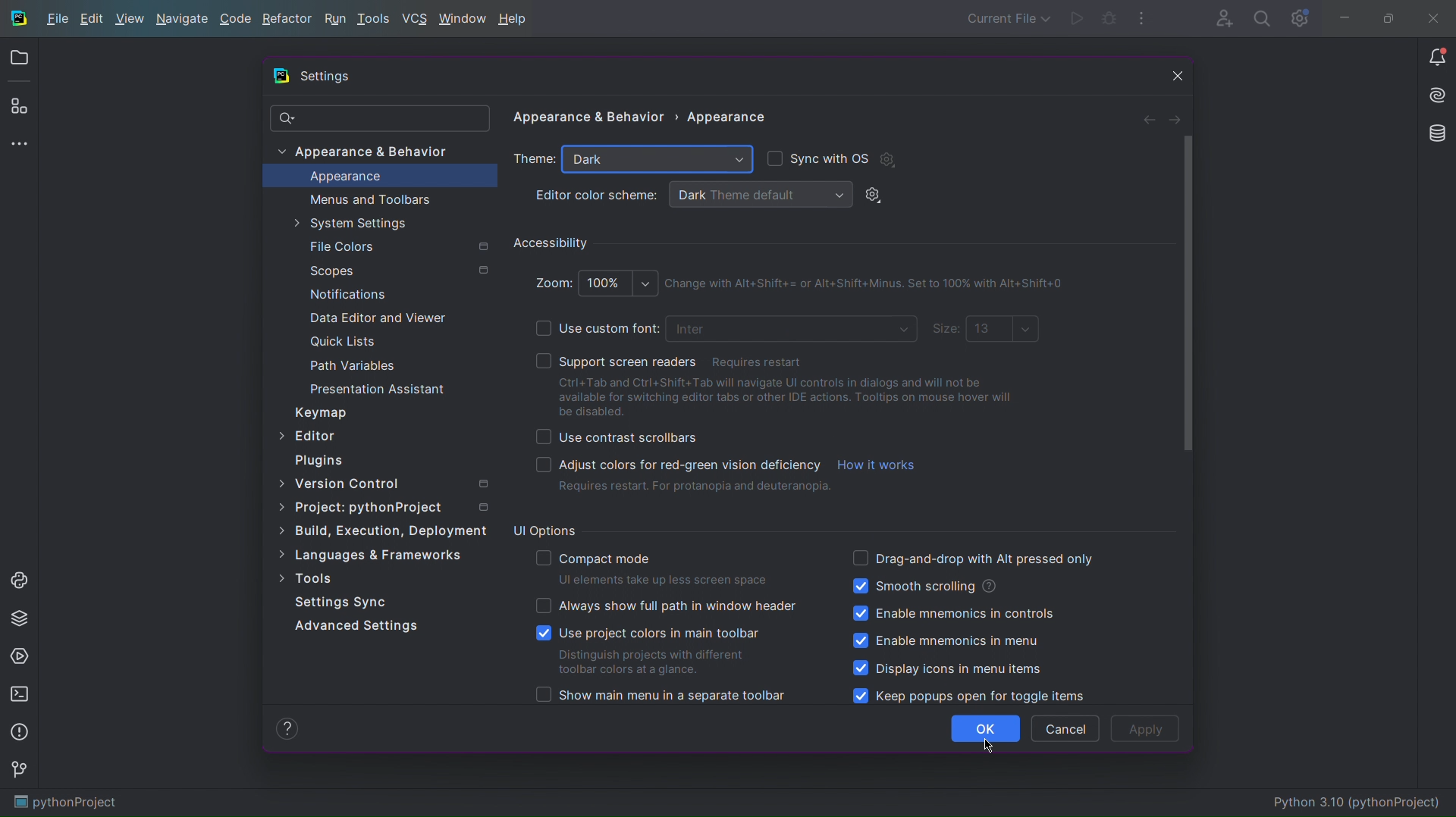 This screenshot has width=1456, height=817. Describe the element at coordinates (365, 224) in the screenshot. I see `System Settings` at that location.